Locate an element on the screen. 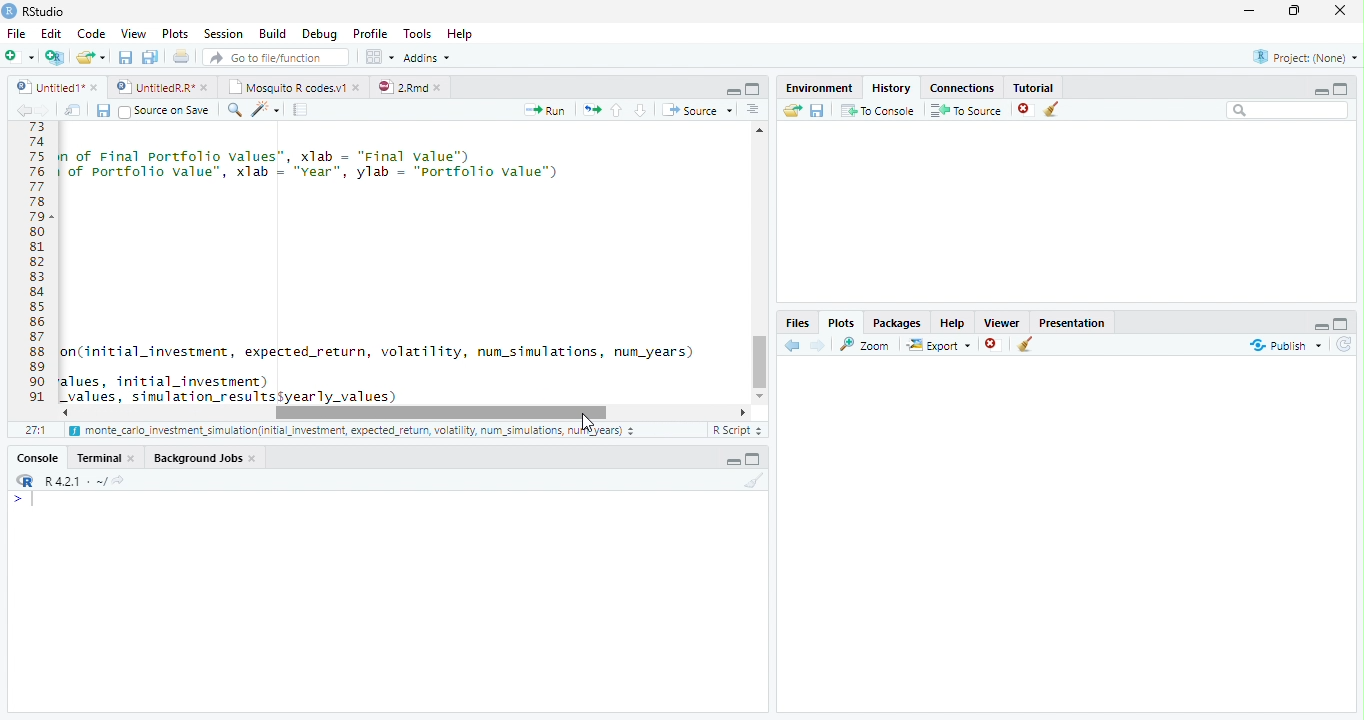  Plots is located at coordinates (841, 322).